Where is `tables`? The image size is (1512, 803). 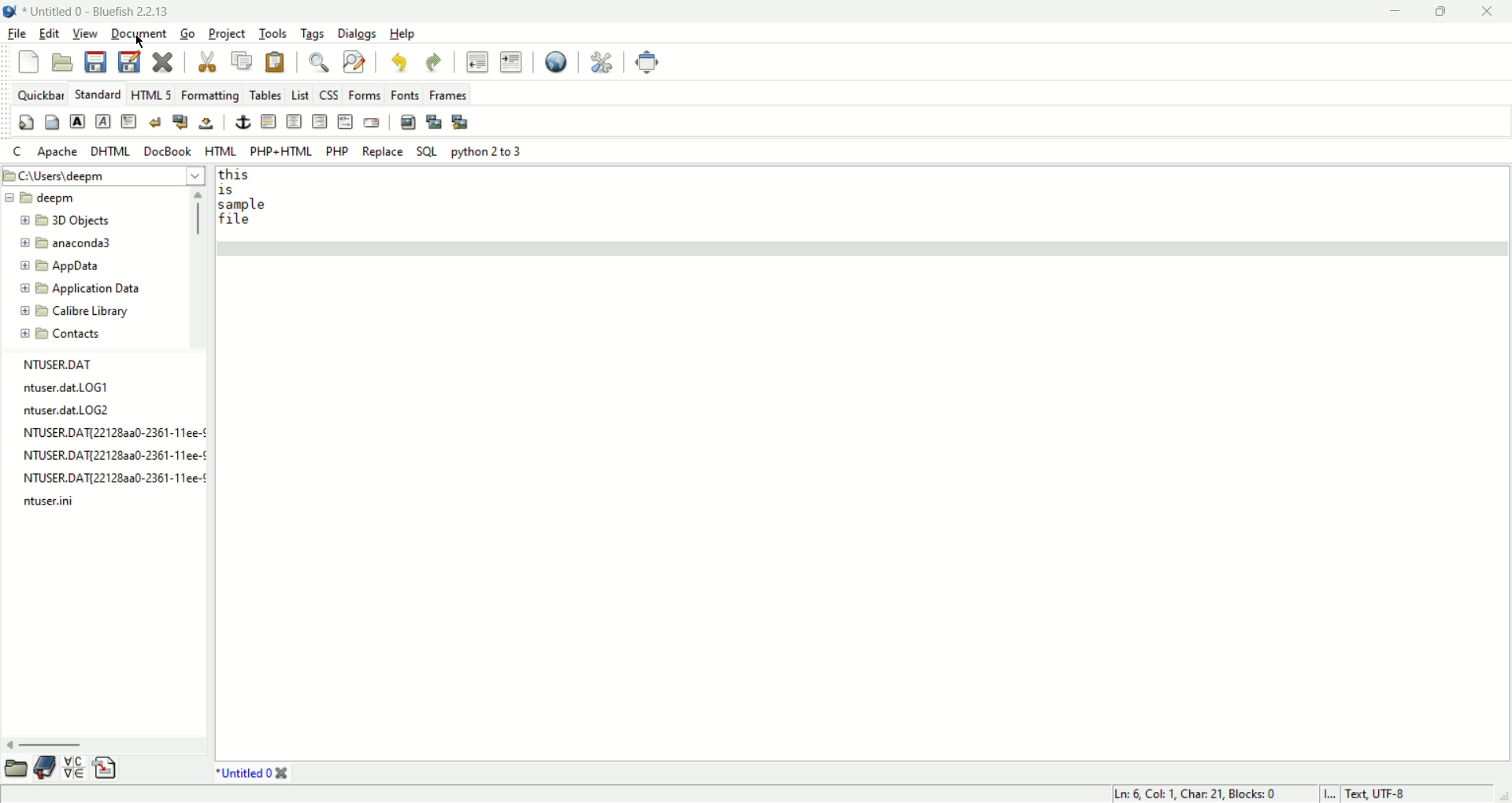 tables is located at coordinates (266, 94).